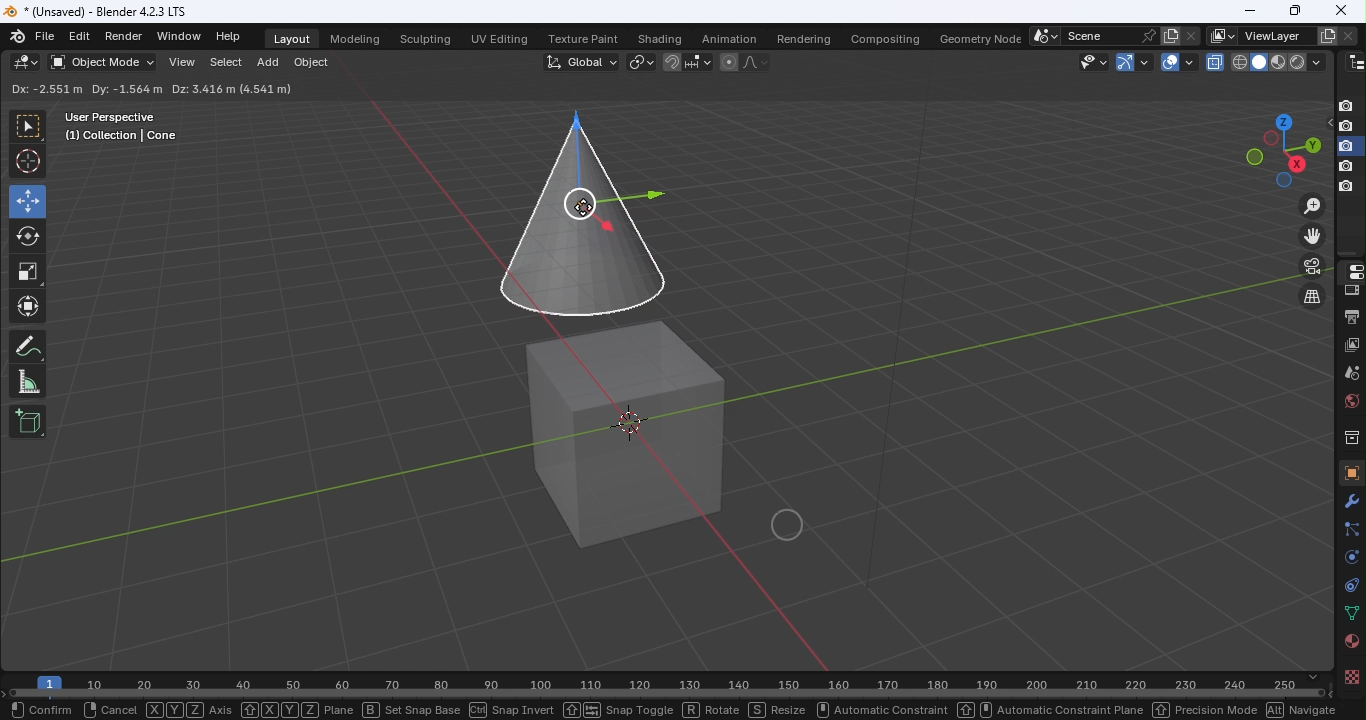 The image size is (1366, 720). Describe the element at coordinates (1169, 62) in the screenshot. I see `Show overlays` at that location.